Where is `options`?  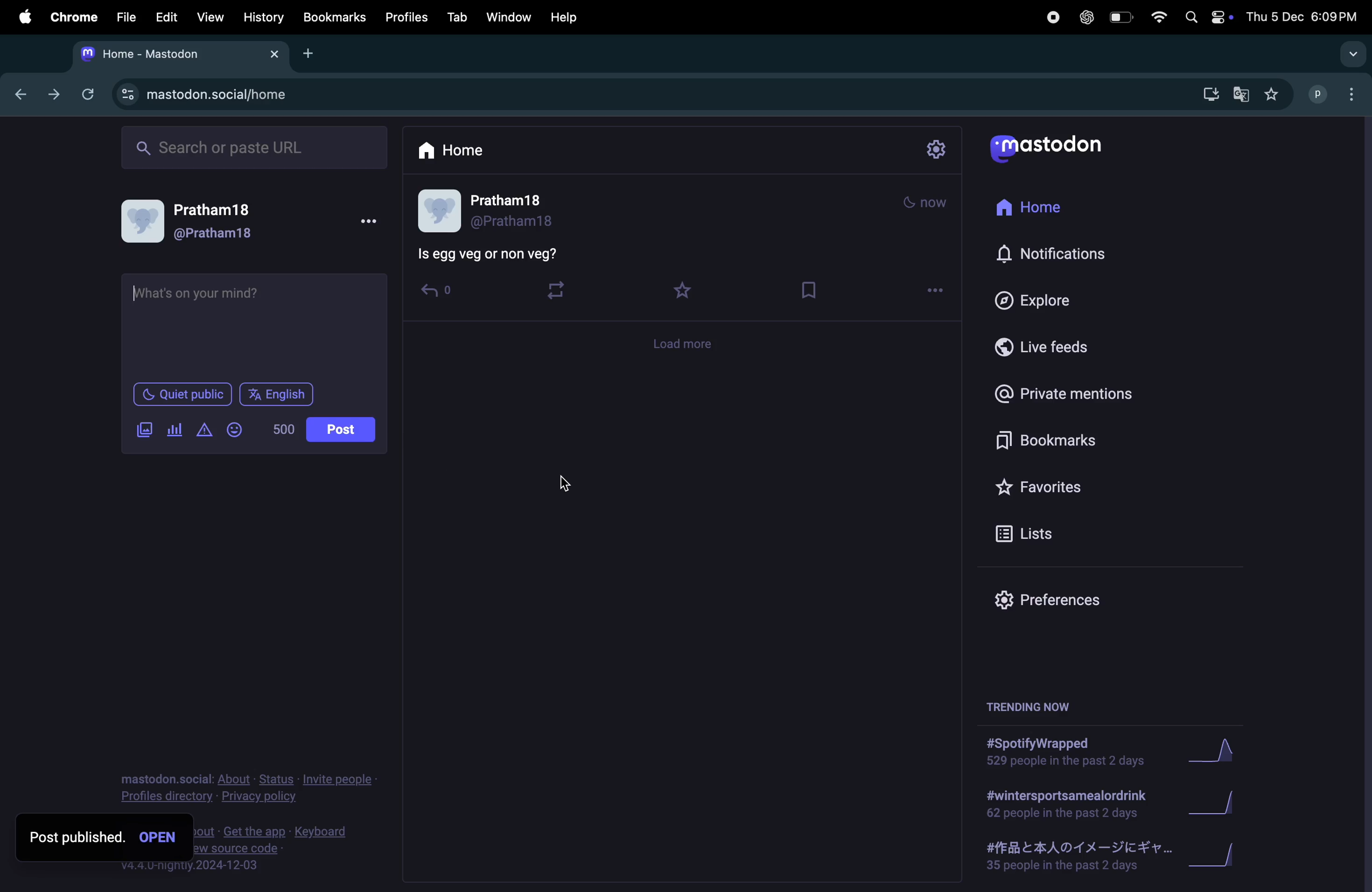
options is located at coordinates (934, 289).